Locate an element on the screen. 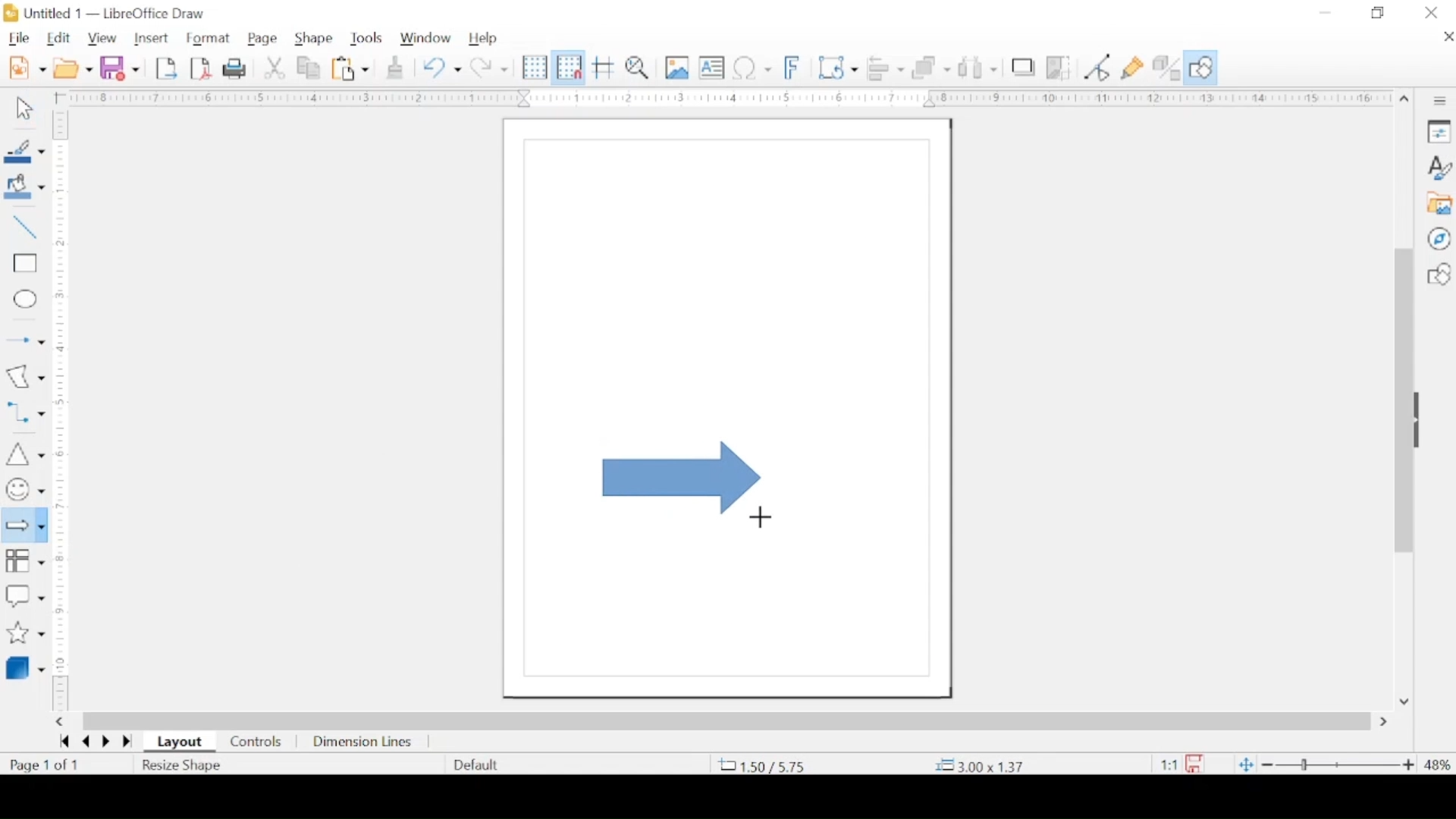  scroll box is located at coordinates (727, 721).